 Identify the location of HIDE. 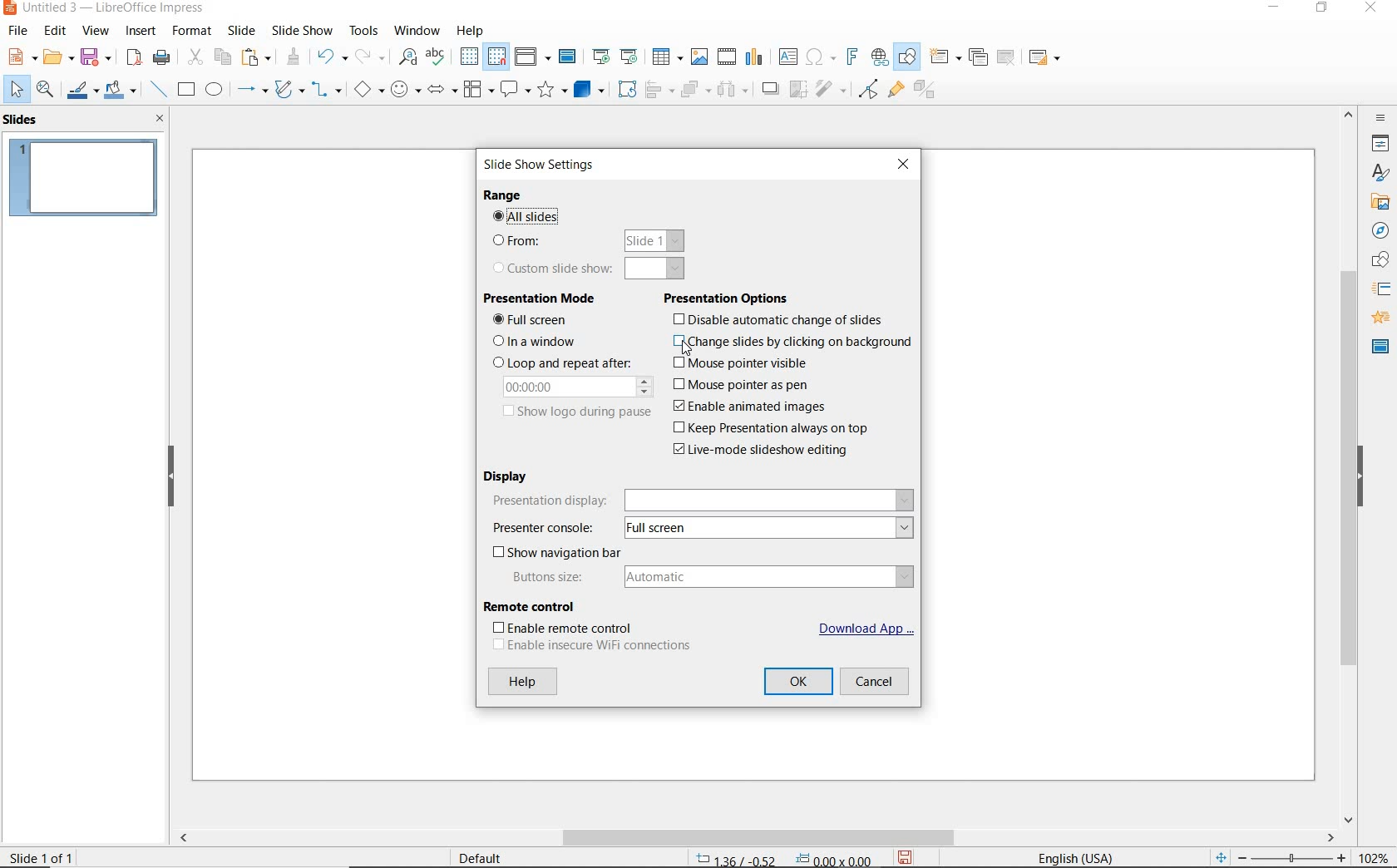
(1363, 476).